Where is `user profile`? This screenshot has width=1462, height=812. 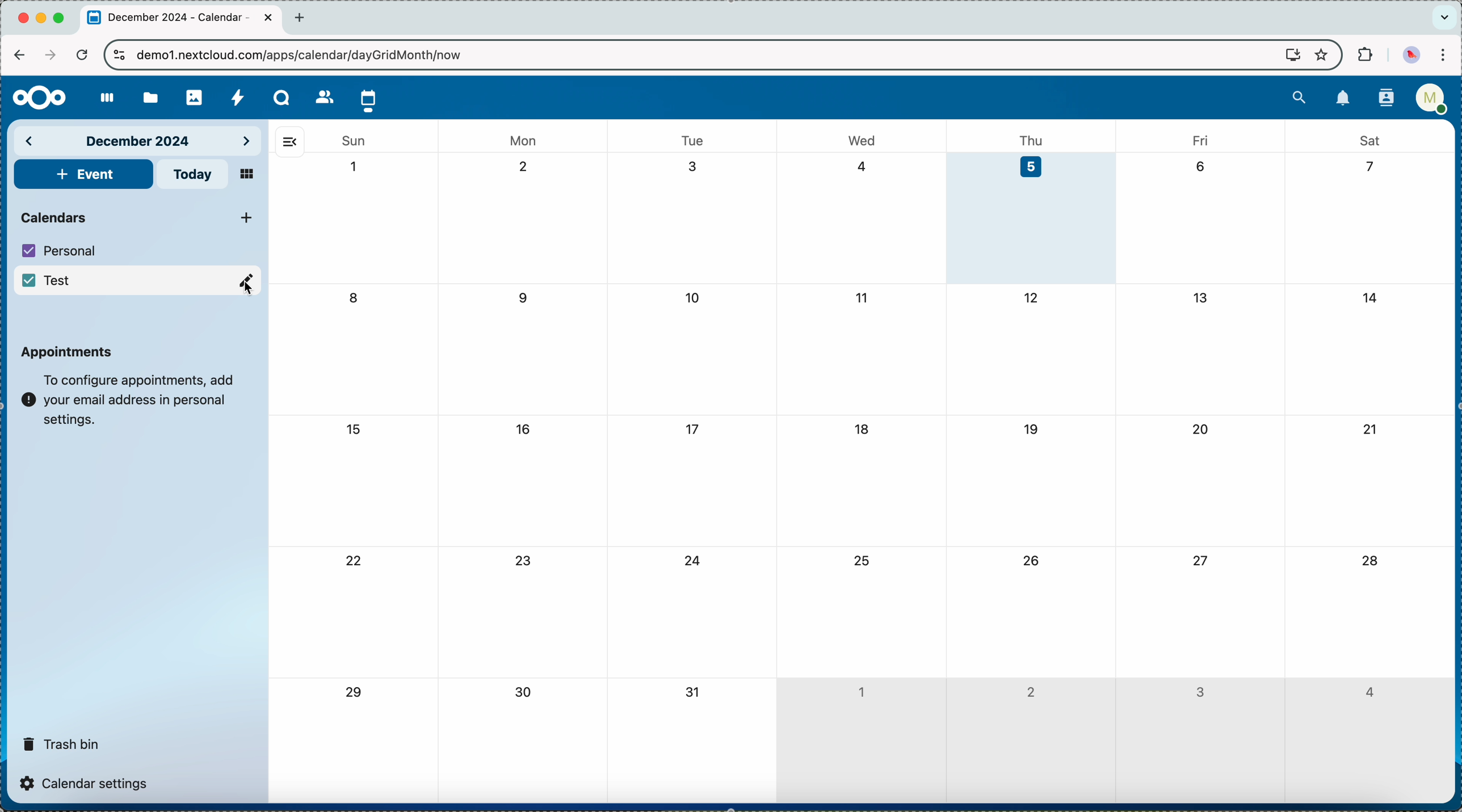
user profile is located at coordinates (1431, 102).